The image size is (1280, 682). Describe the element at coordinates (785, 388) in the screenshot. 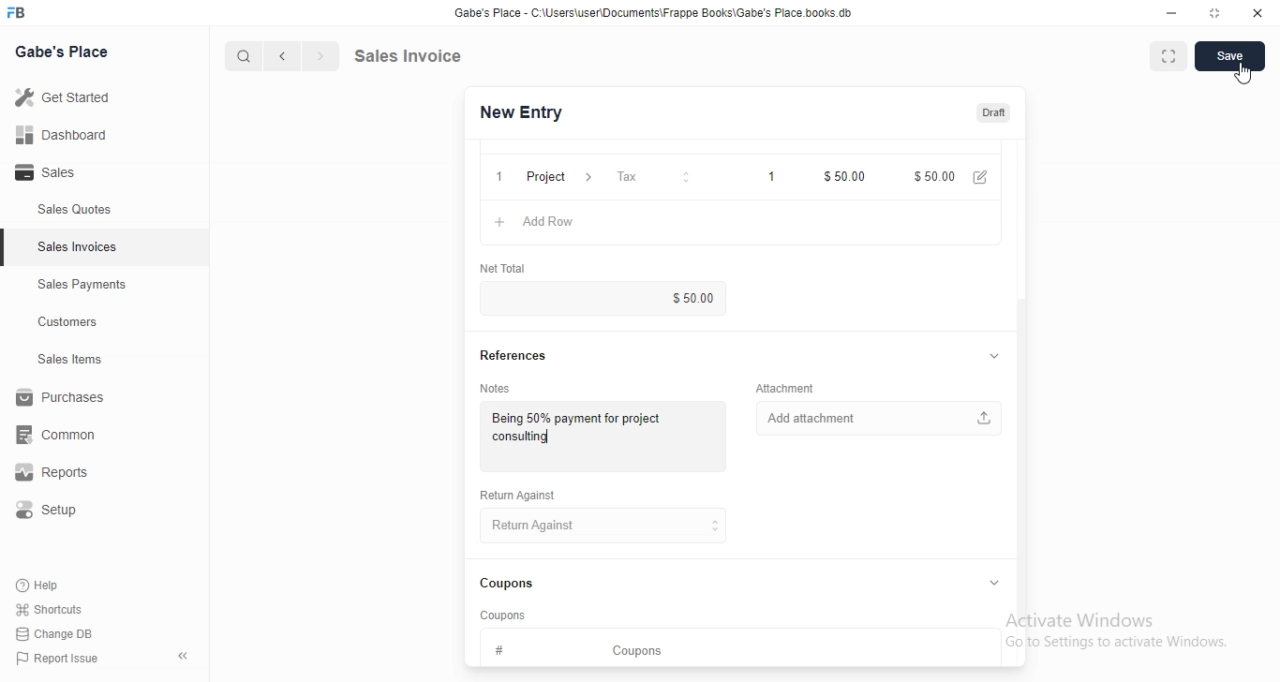

I see `‘Attachment` at that location.